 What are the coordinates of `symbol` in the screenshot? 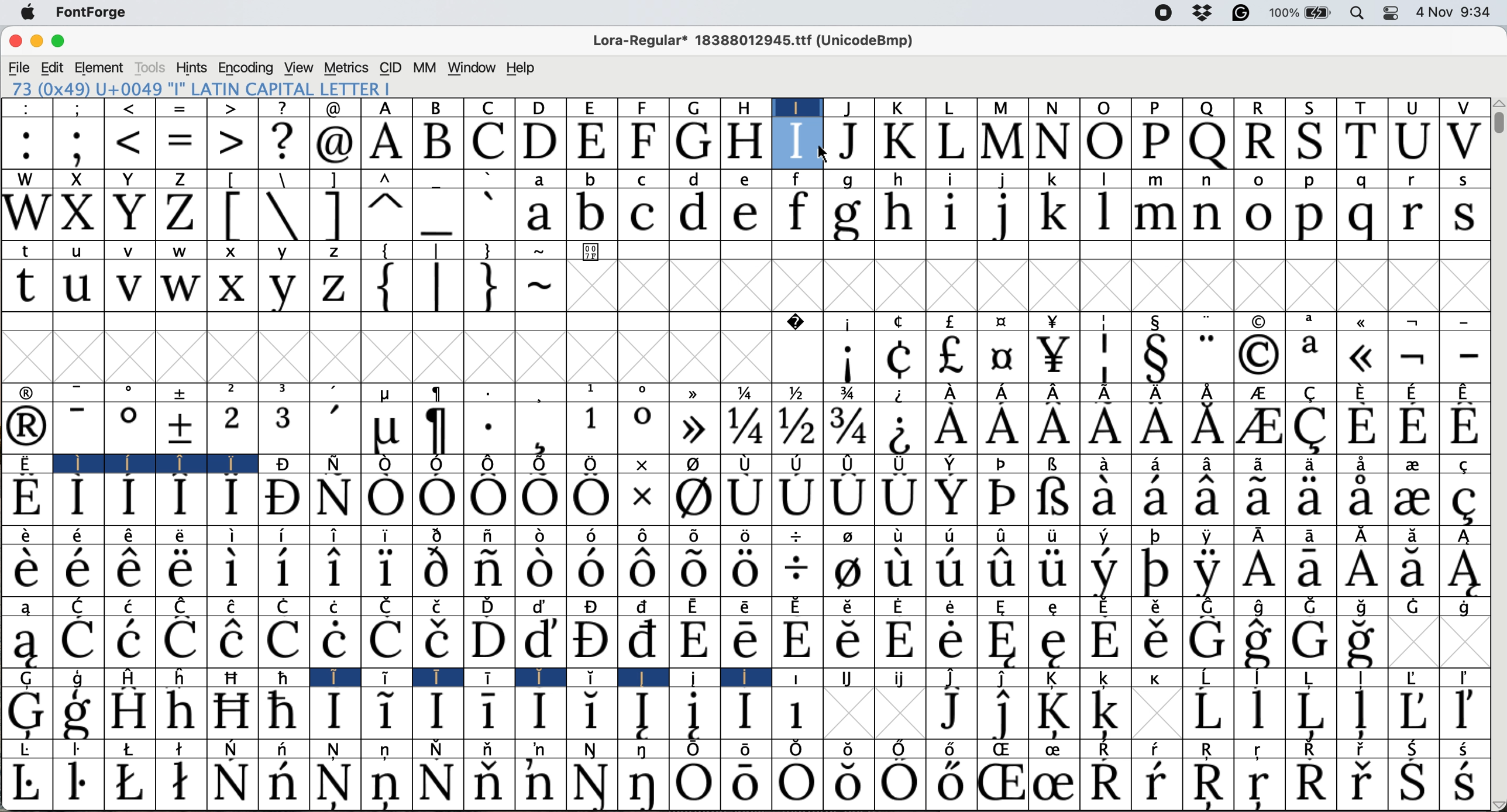 It's located at (951, 392).